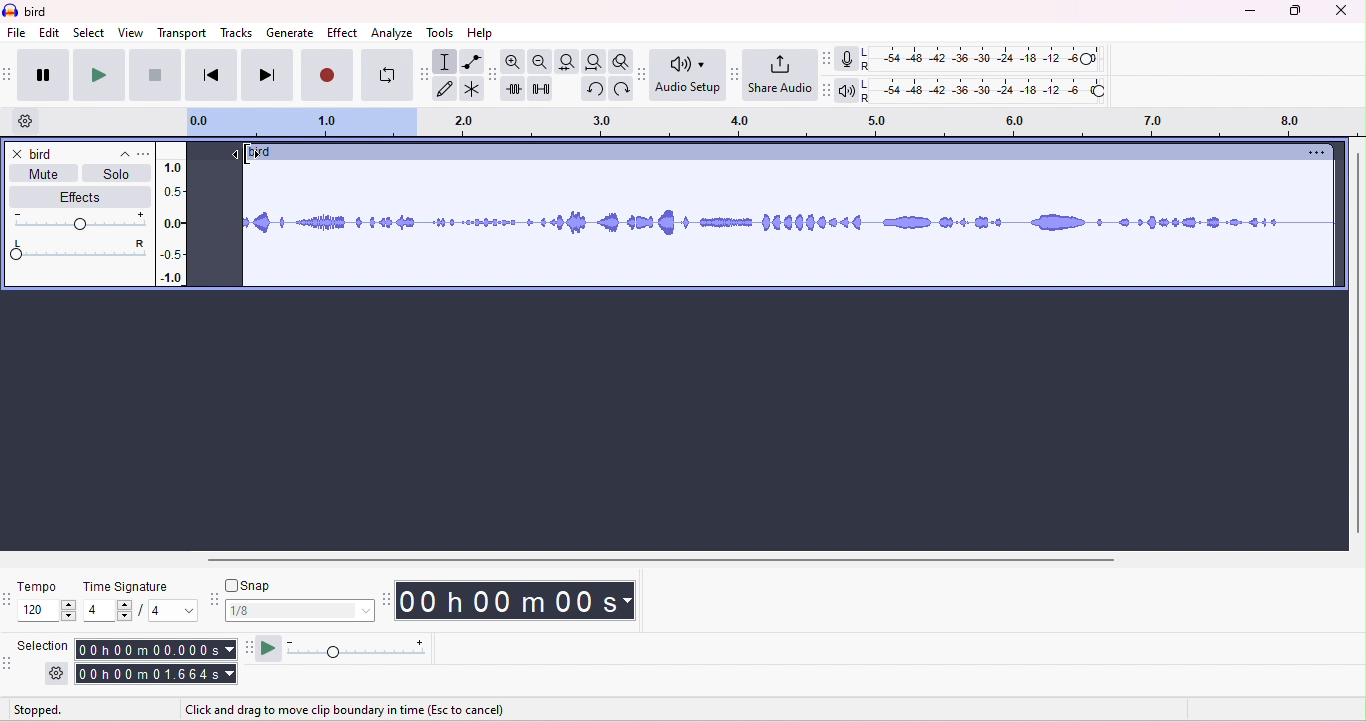  I want to click on tracks, so click(237, 34).